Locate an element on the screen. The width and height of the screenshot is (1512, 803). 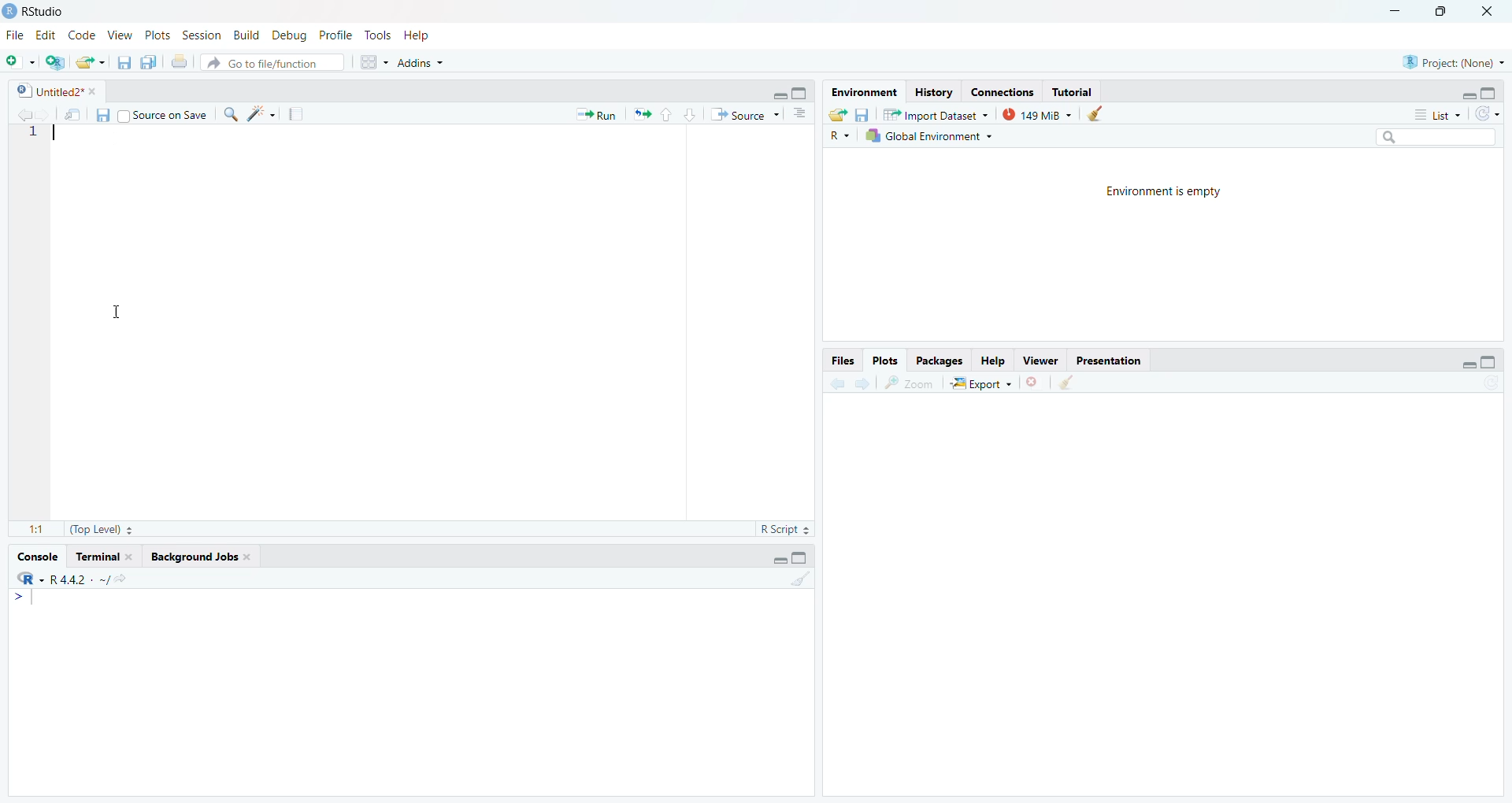
Show document outline (Ctrl + Shift + O) is located at coordinates (802, 113).